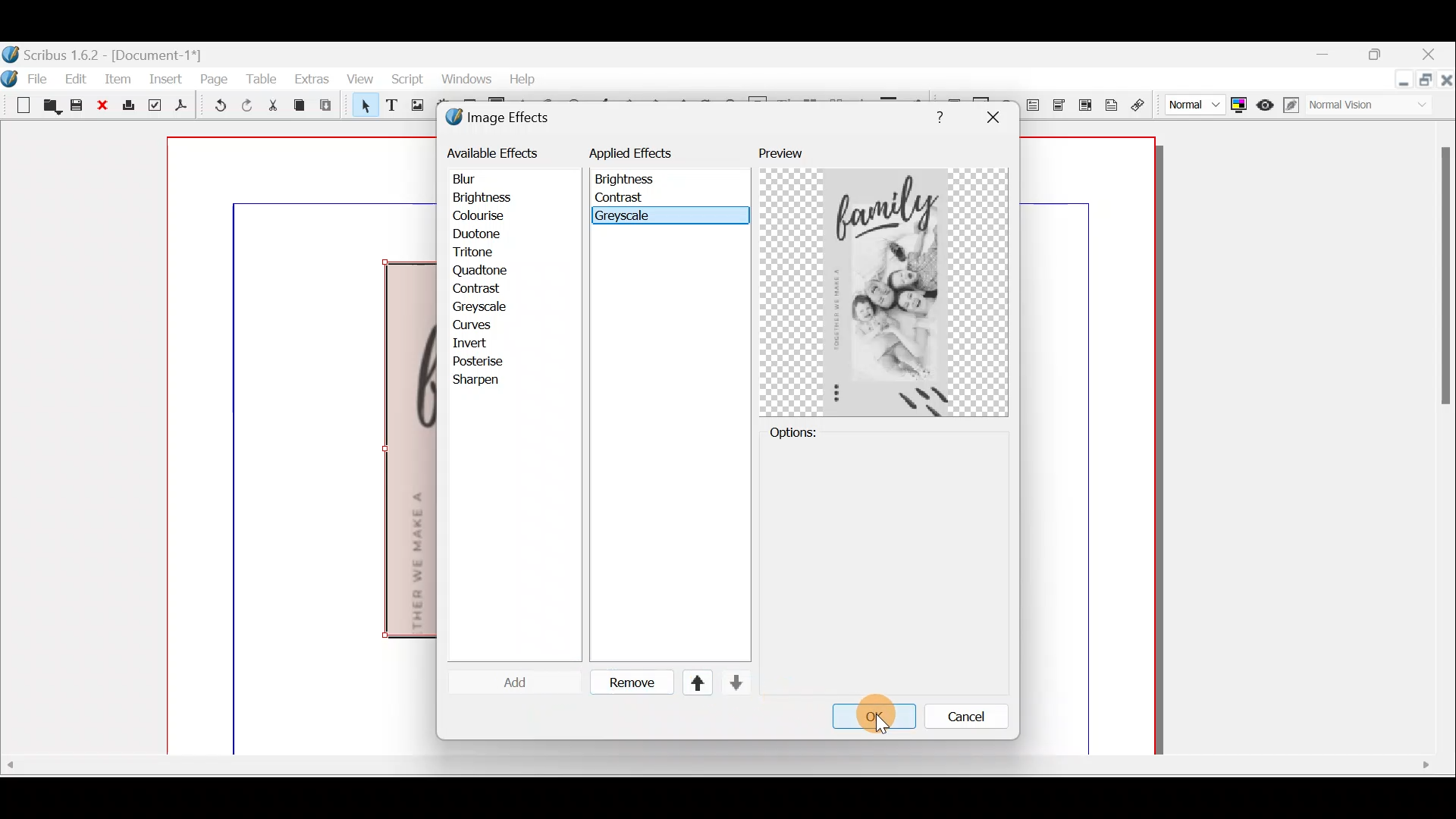 The height and width of the screenshot is (819, 1456). I want to click on Table, so click(263, 80).